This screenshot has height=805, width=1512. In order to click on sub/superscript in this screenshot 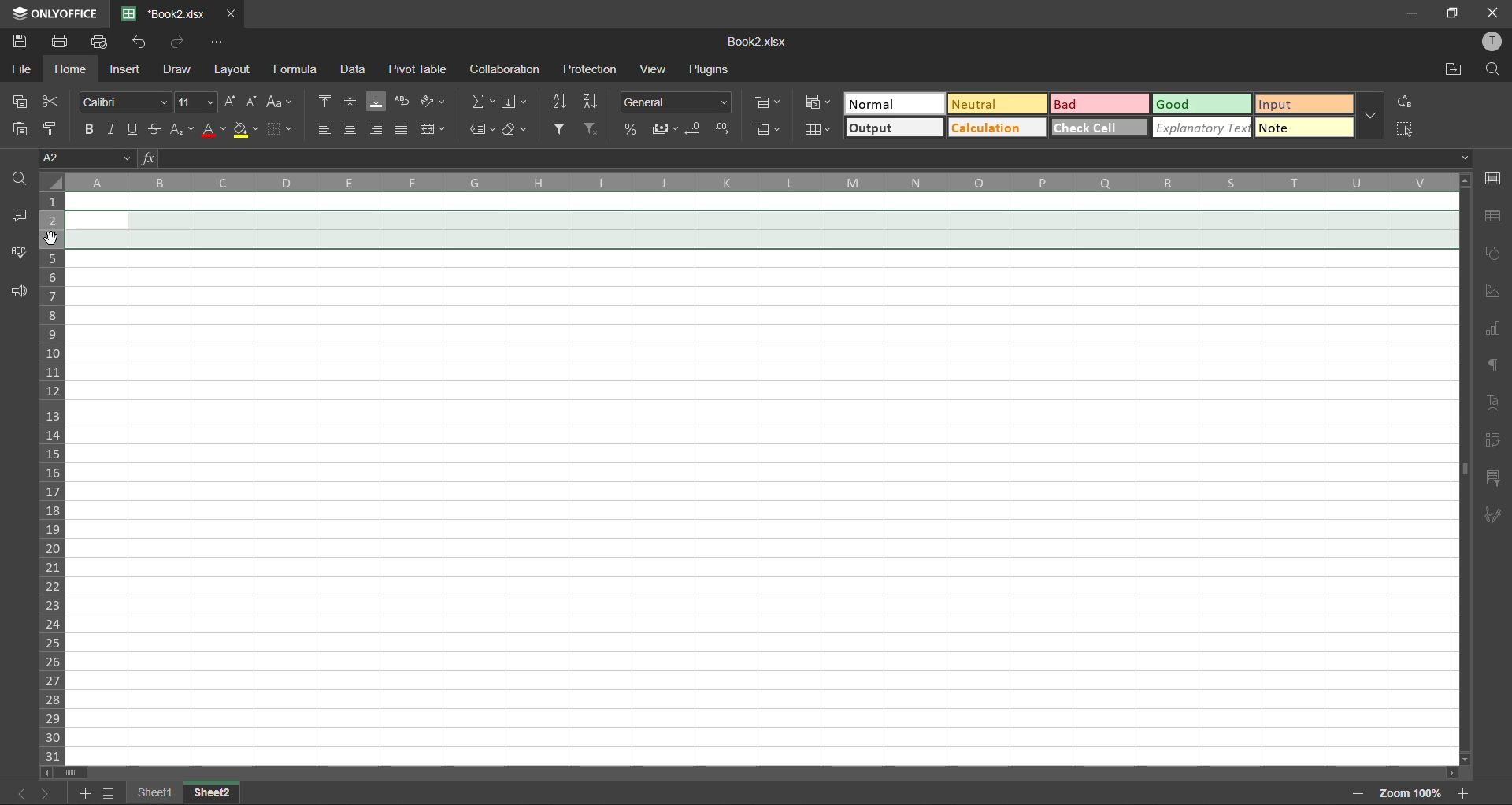, I will do `click(177, 128)`.